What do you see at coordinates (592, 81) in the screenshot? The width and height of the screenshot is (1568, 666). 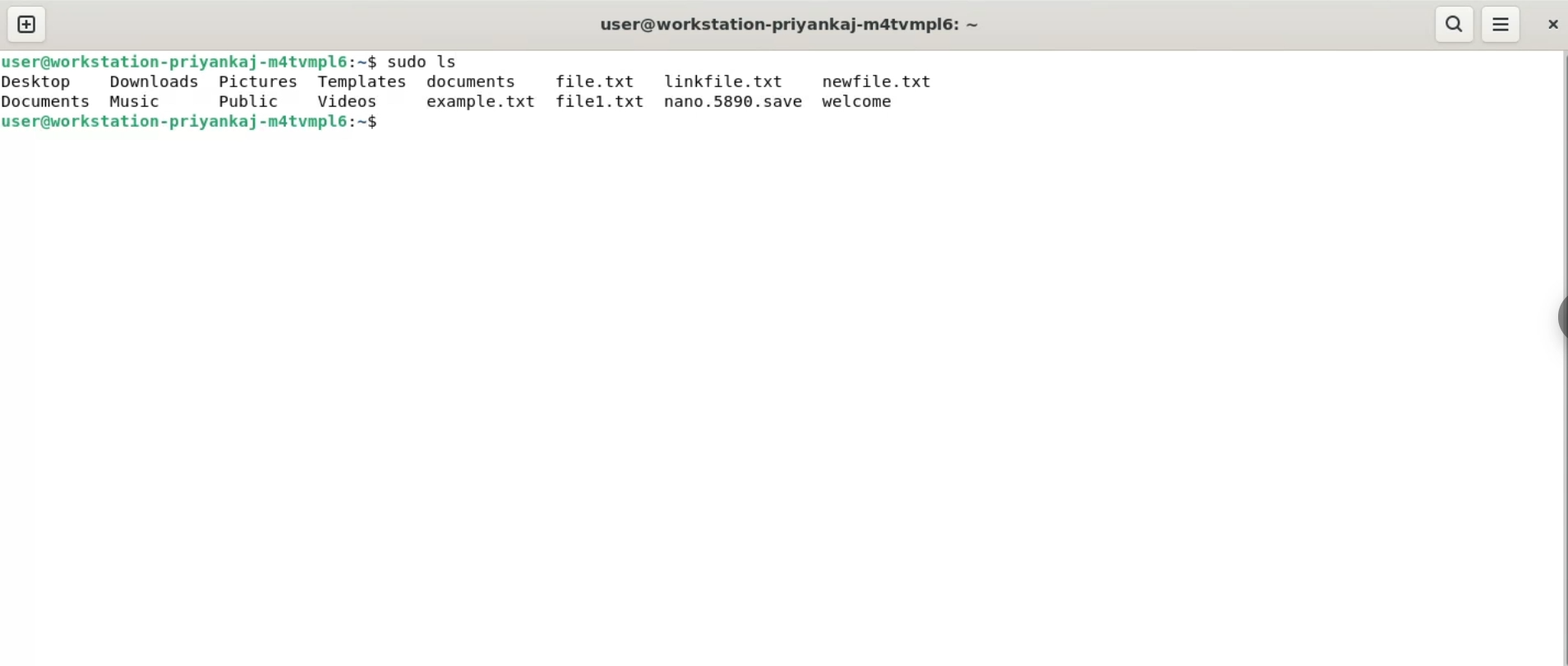 I see `file` at bounding box center [592, 81].